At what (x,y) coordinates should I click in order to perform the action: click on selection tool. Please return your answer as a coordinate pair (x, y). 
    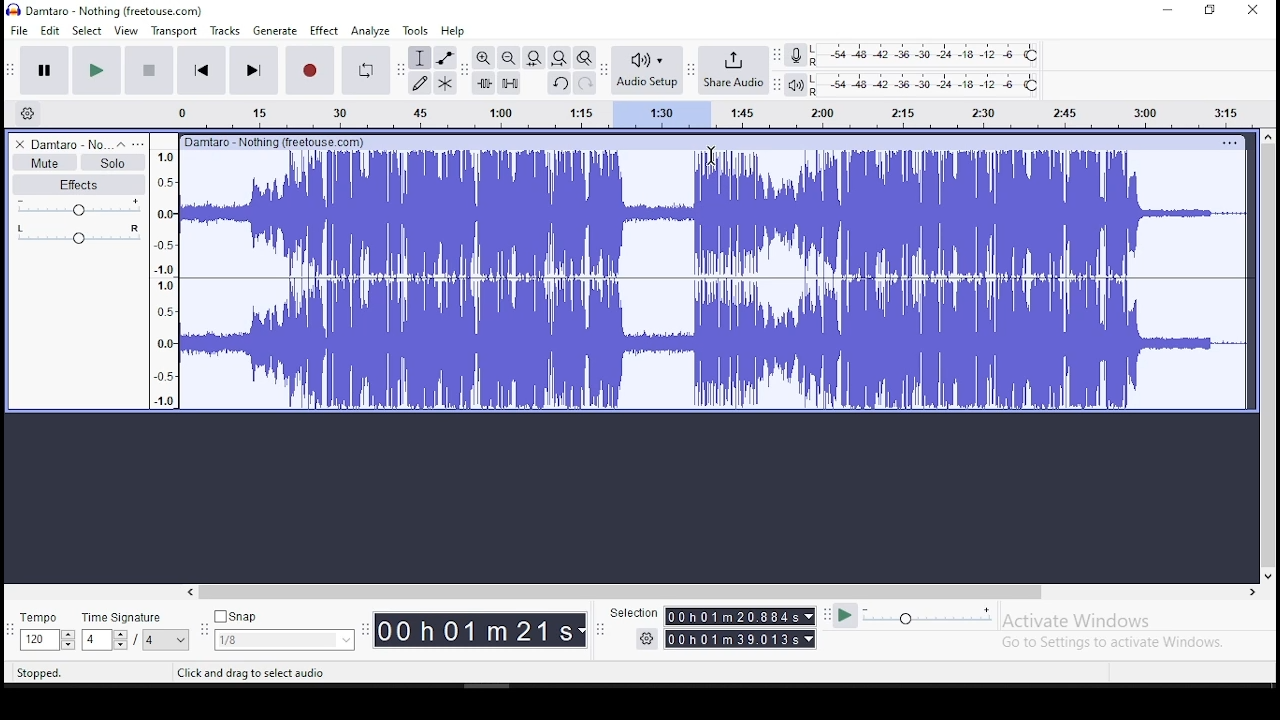
    Looking at the image, I should click on (421, 58).